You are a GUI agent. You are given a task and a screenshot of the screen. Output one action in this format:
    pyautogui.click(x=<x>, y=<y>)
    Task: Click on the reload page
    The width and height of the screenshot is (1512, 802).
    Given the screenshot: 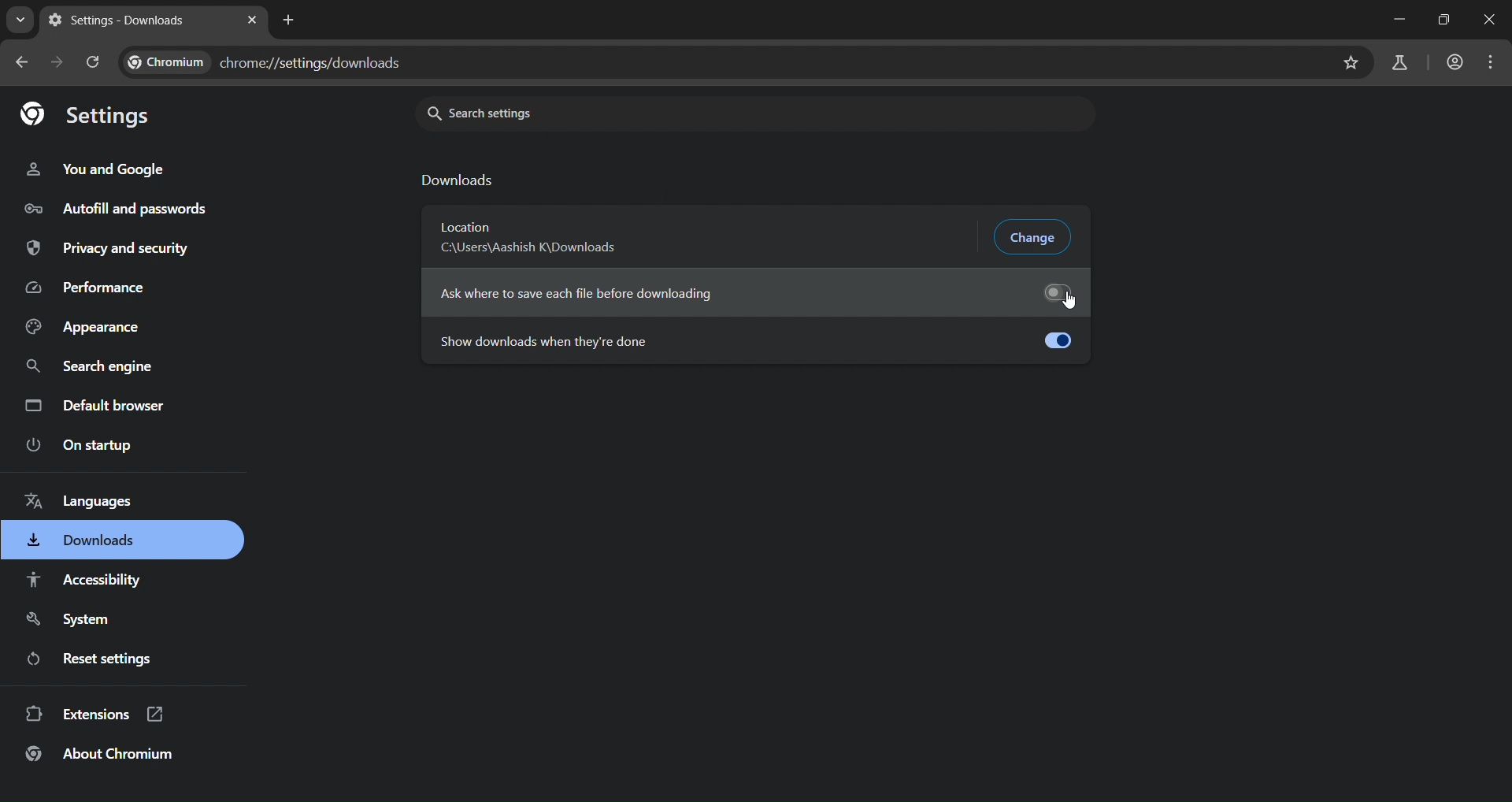 What is the action you would take?
    pyautogui.click(x=91, y=62)
    